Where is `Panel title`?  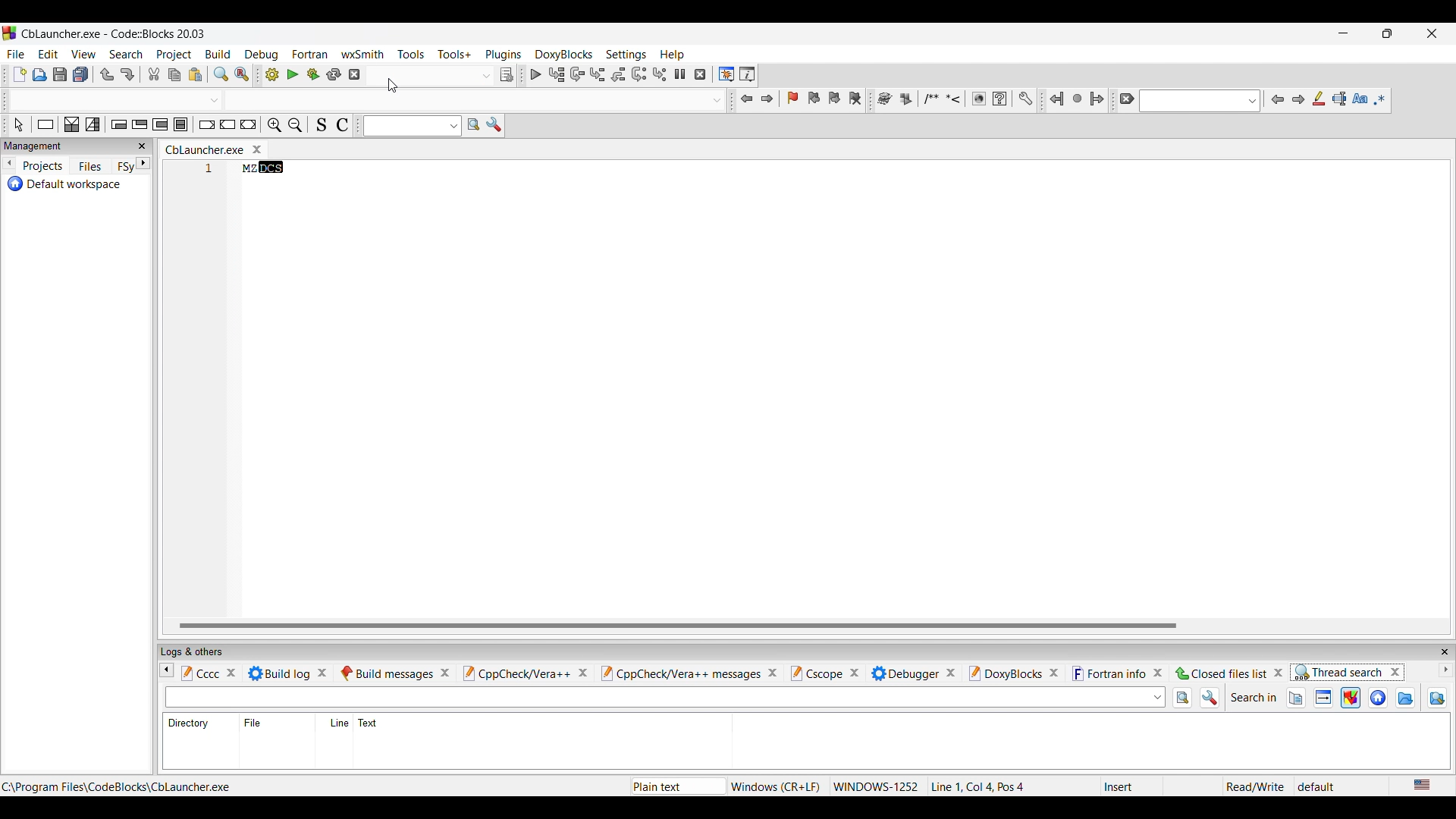
Panel title is located at coordinates (192, 652).